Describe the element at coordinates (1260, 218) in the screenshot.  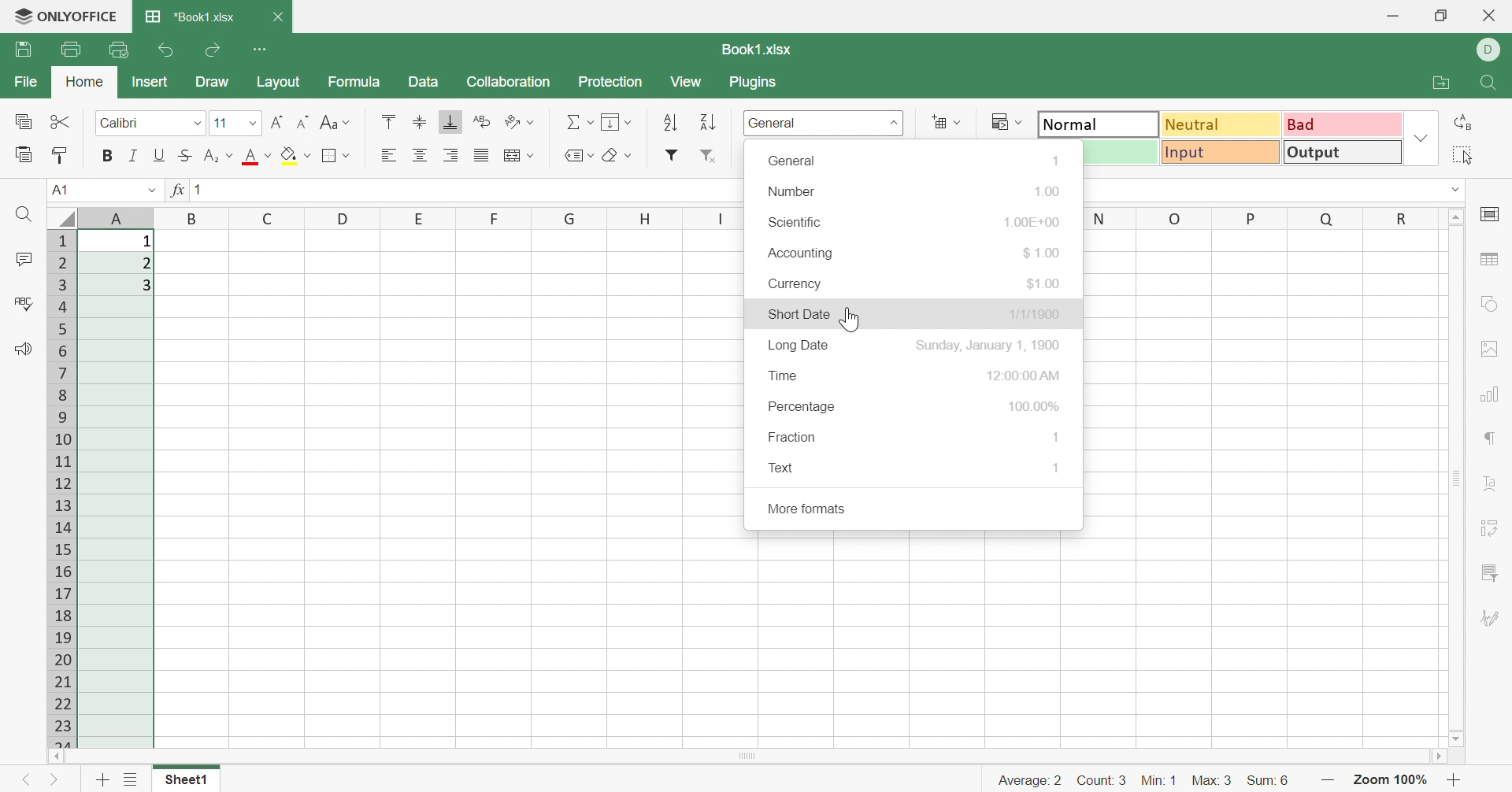
I see `column names` at that location.